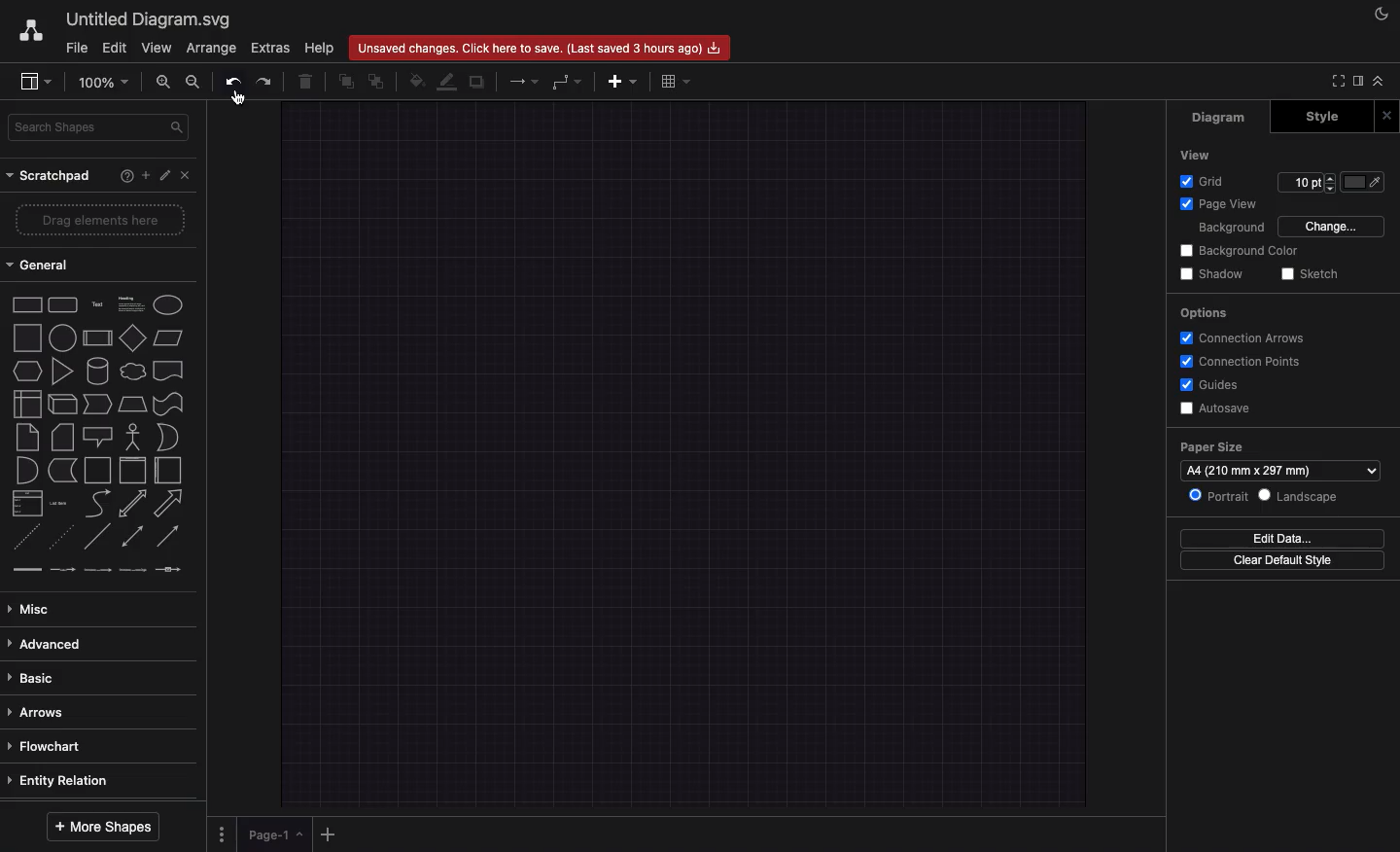  Describe the element at coordinates (326, 833) in the screenshot. I see `Add` at that location.